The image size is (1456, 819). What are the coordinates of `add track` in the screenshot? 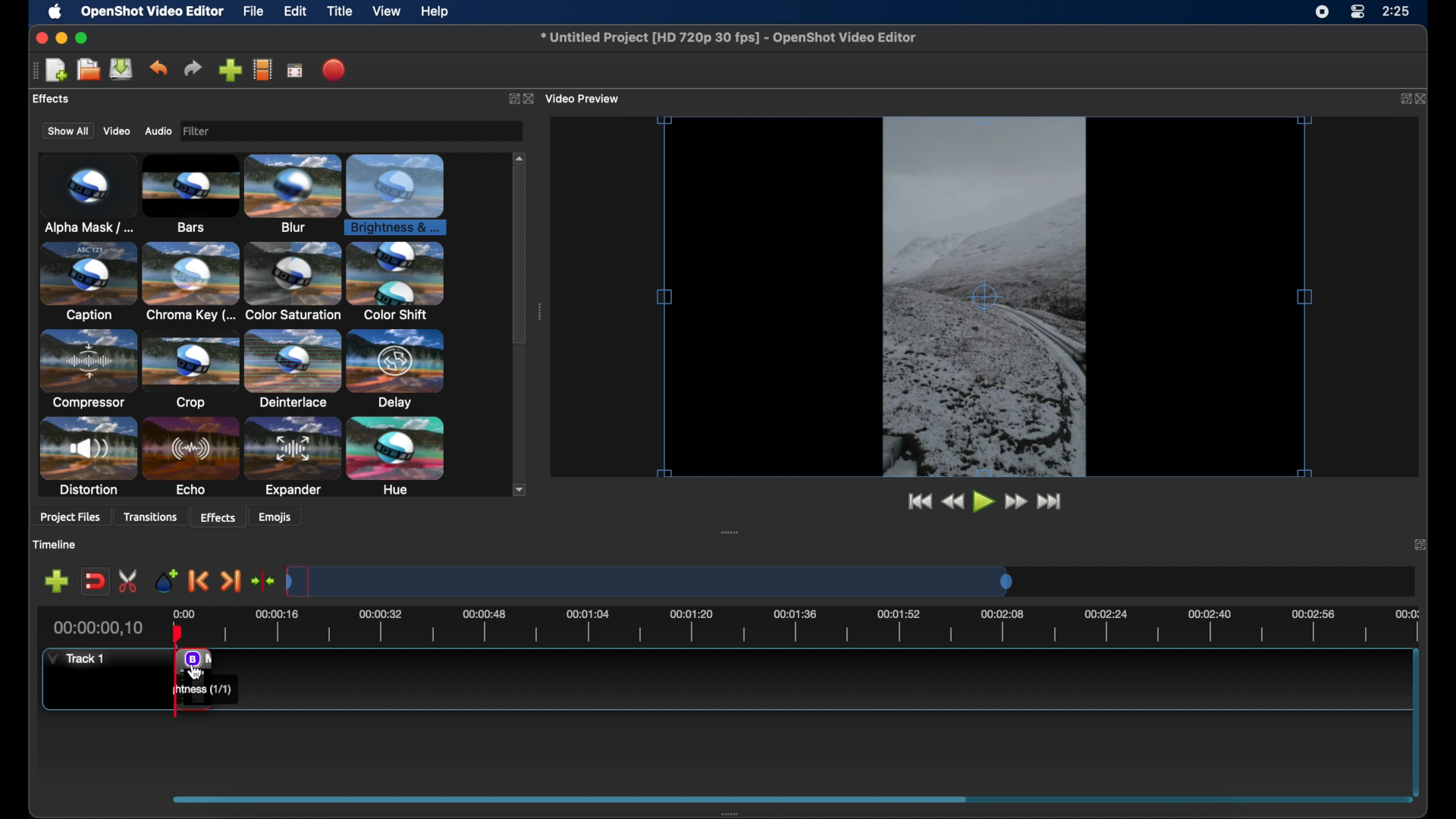 It's located at (56, 581).